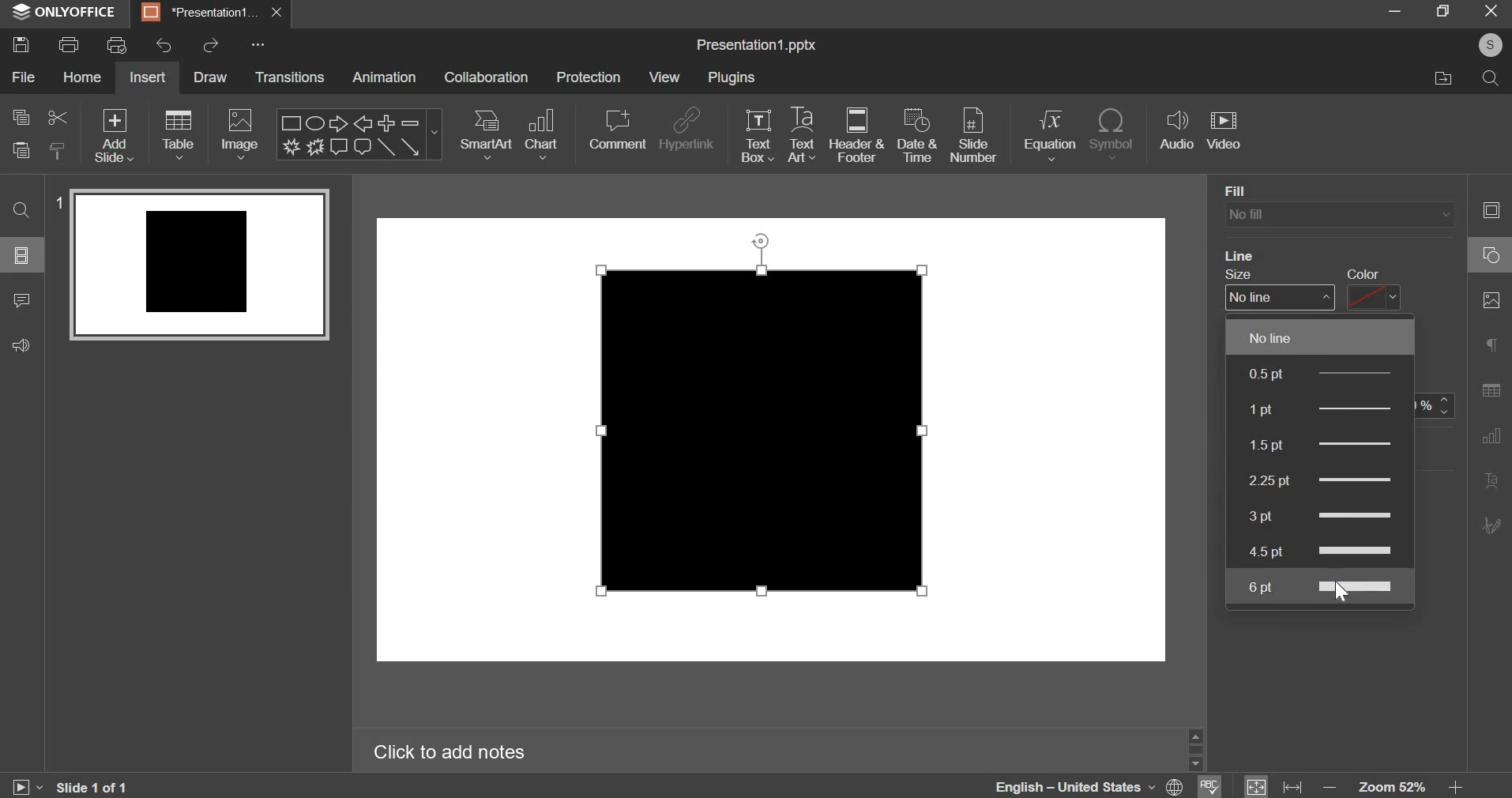  Describe the element at coordinates (856, 136) in the screenshot. I see `header & footer` at that location.